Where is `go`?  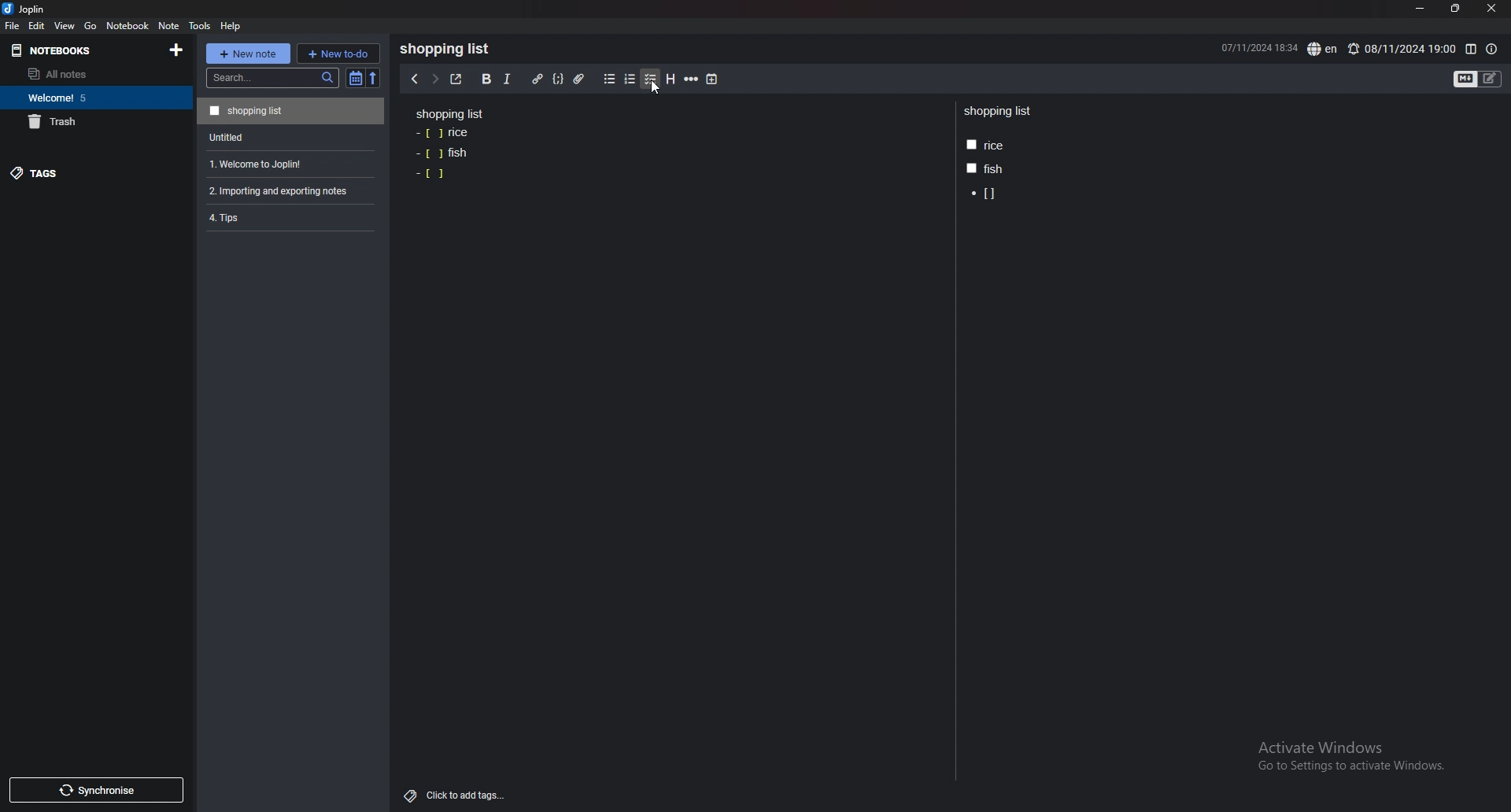
go is located at coordinates (91, 27).